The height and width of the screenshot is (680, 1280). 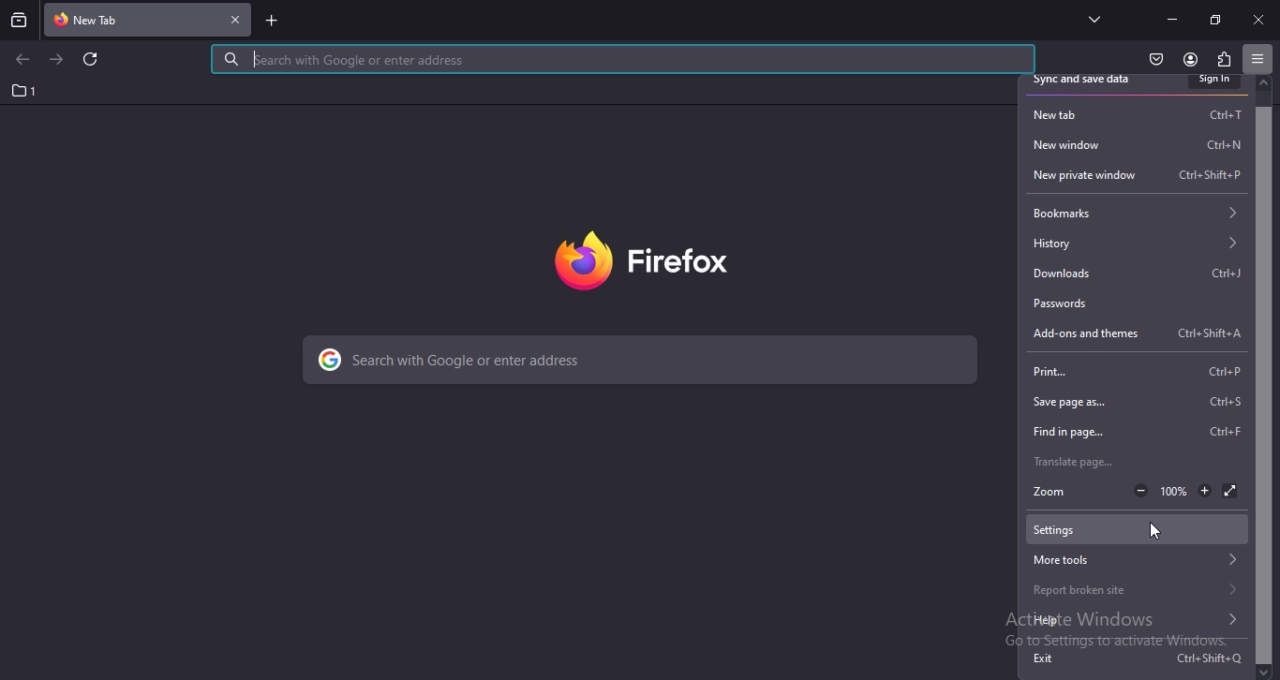 What do you see at coordinates (20, 59) in the screenshot?
I see `go back one page` at bounding box center [20, 59].